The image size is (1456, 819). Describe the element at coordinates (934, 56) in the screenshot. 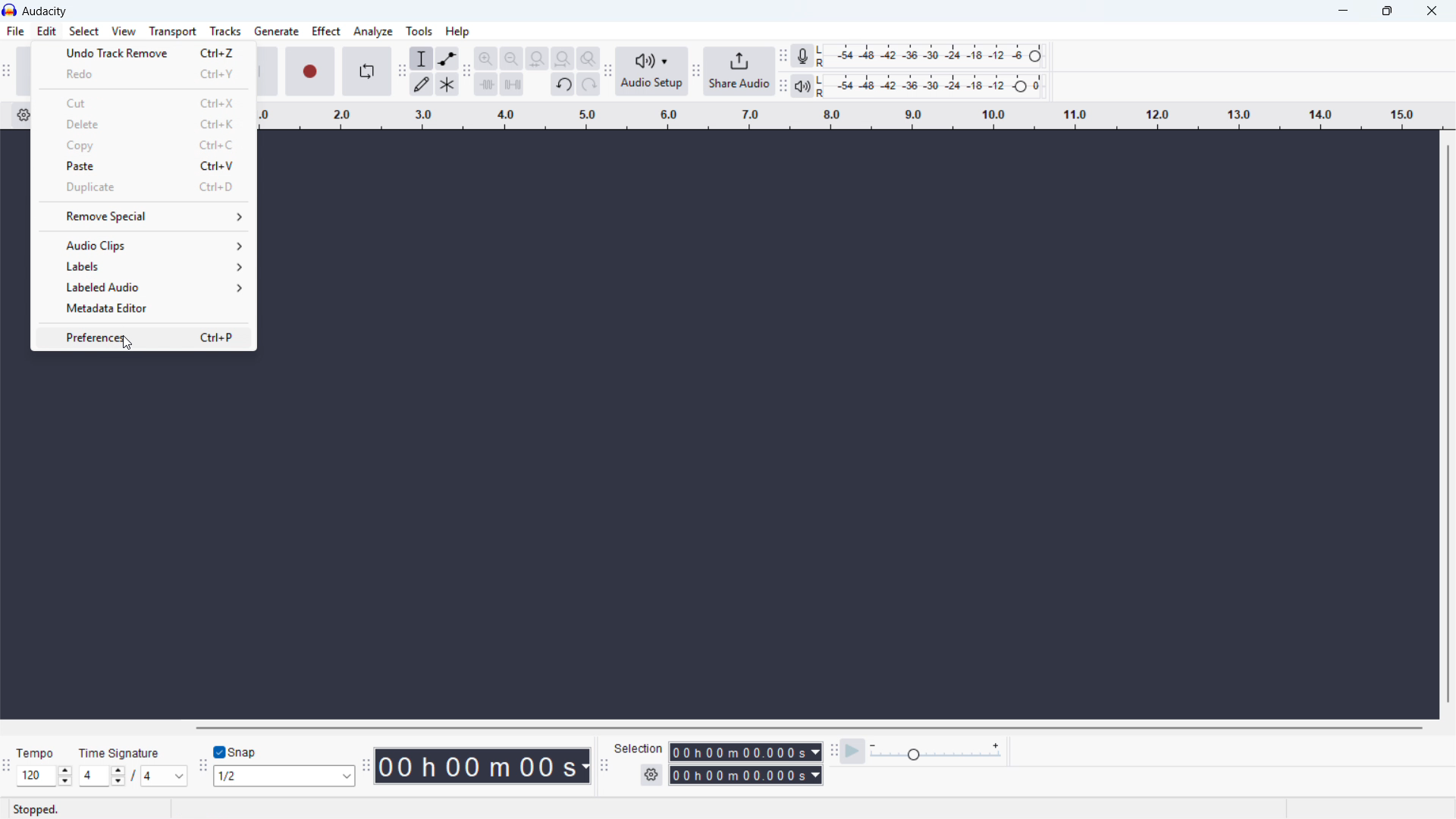

I see `recording level` at that location.